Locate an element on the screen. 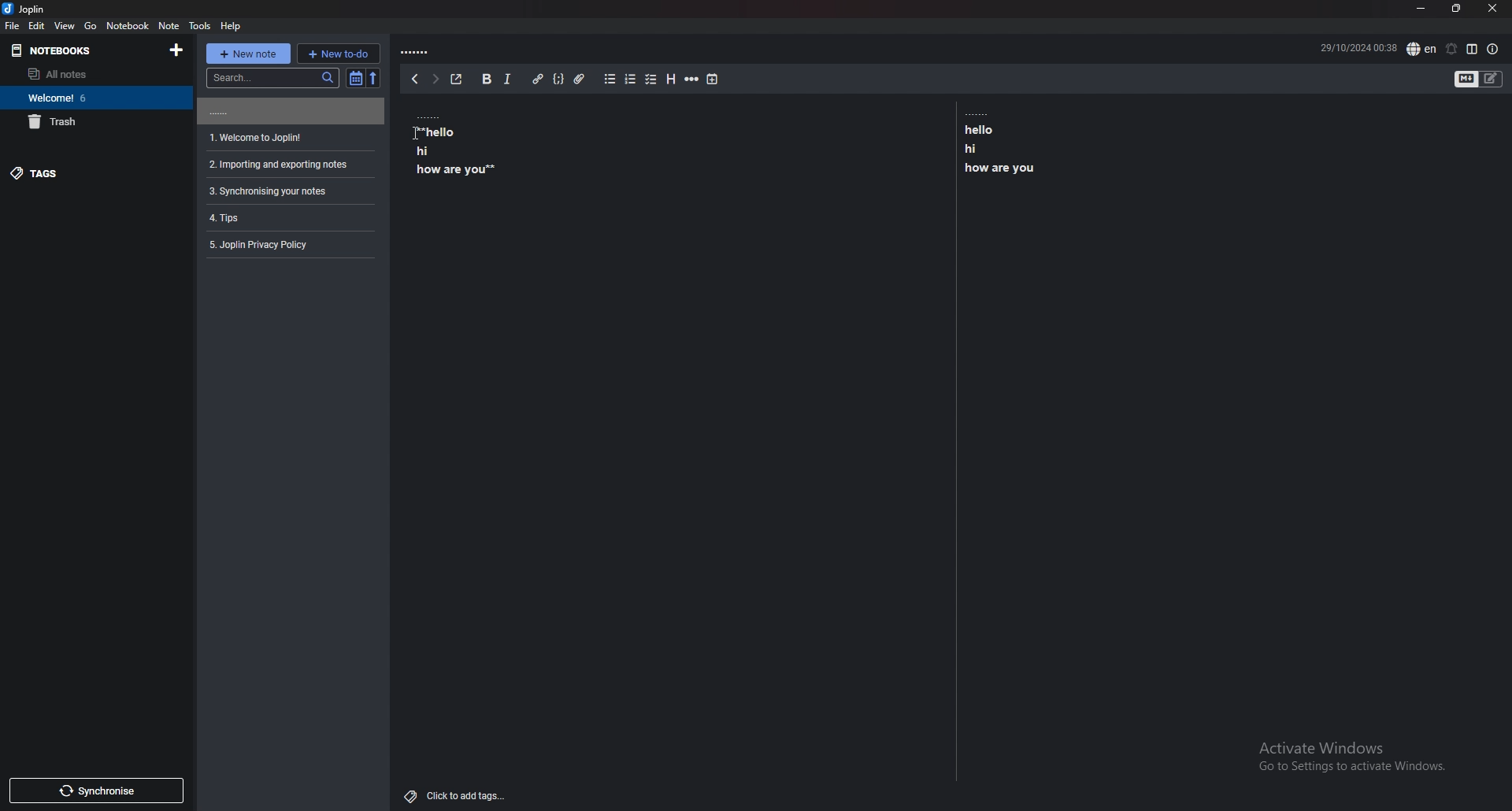  trash is located at coordinates (96, 122).